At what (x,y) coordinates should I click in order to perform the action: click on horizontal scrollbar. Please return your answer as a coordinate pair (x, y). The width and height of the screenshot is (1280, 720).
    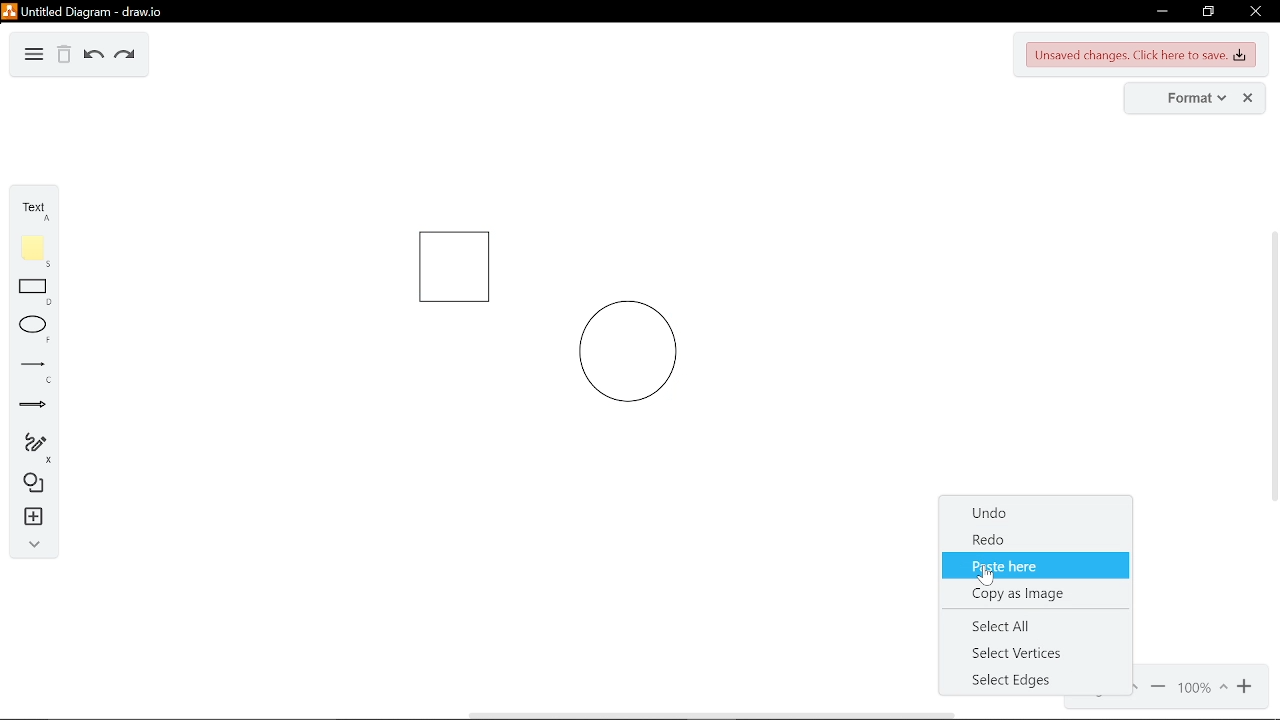
    Looking at the image, I should click on (710, 715).